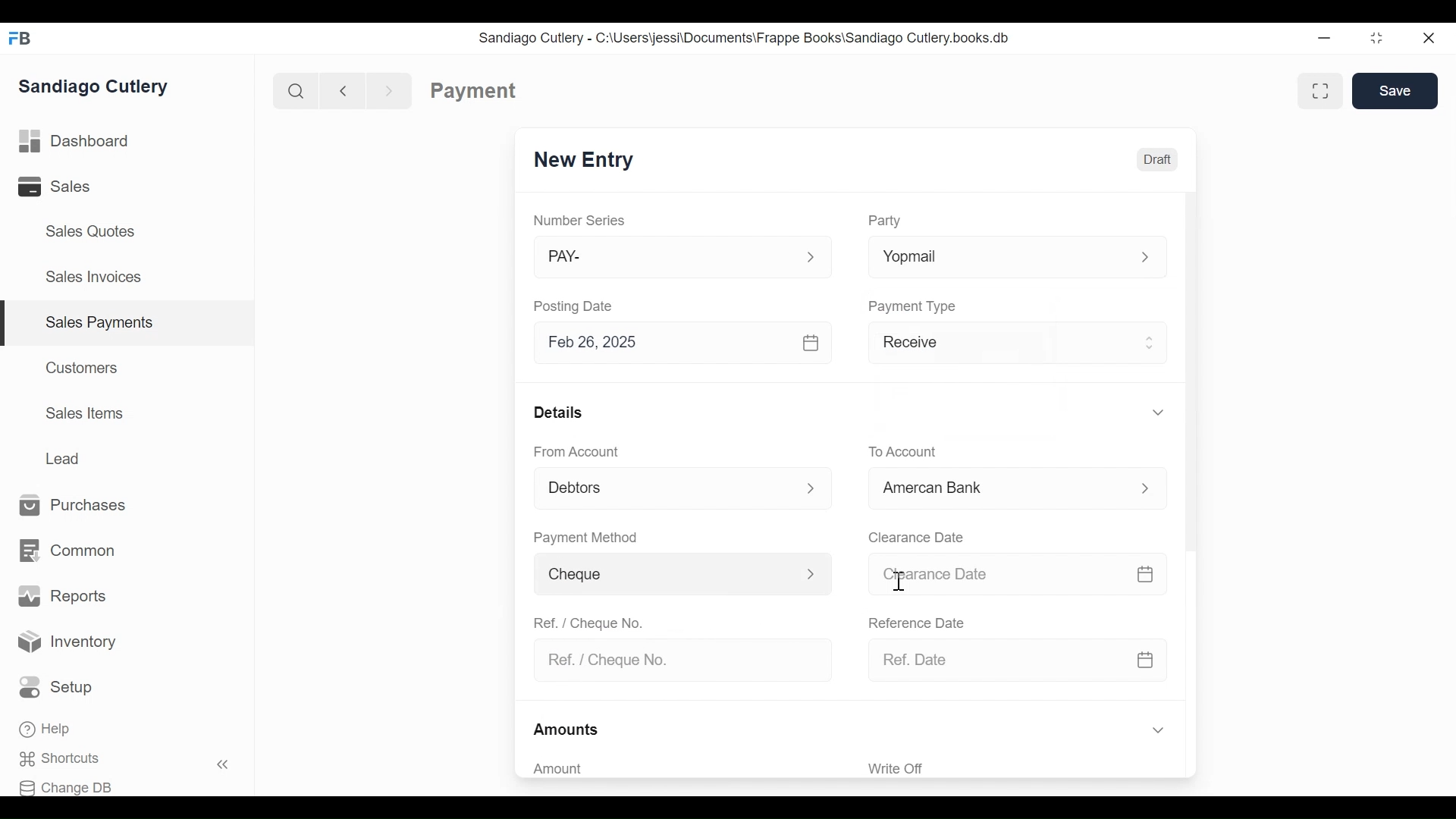  Describe the element at coordinates (1145, 259) in the screenshot. I see `Expand` at that location.